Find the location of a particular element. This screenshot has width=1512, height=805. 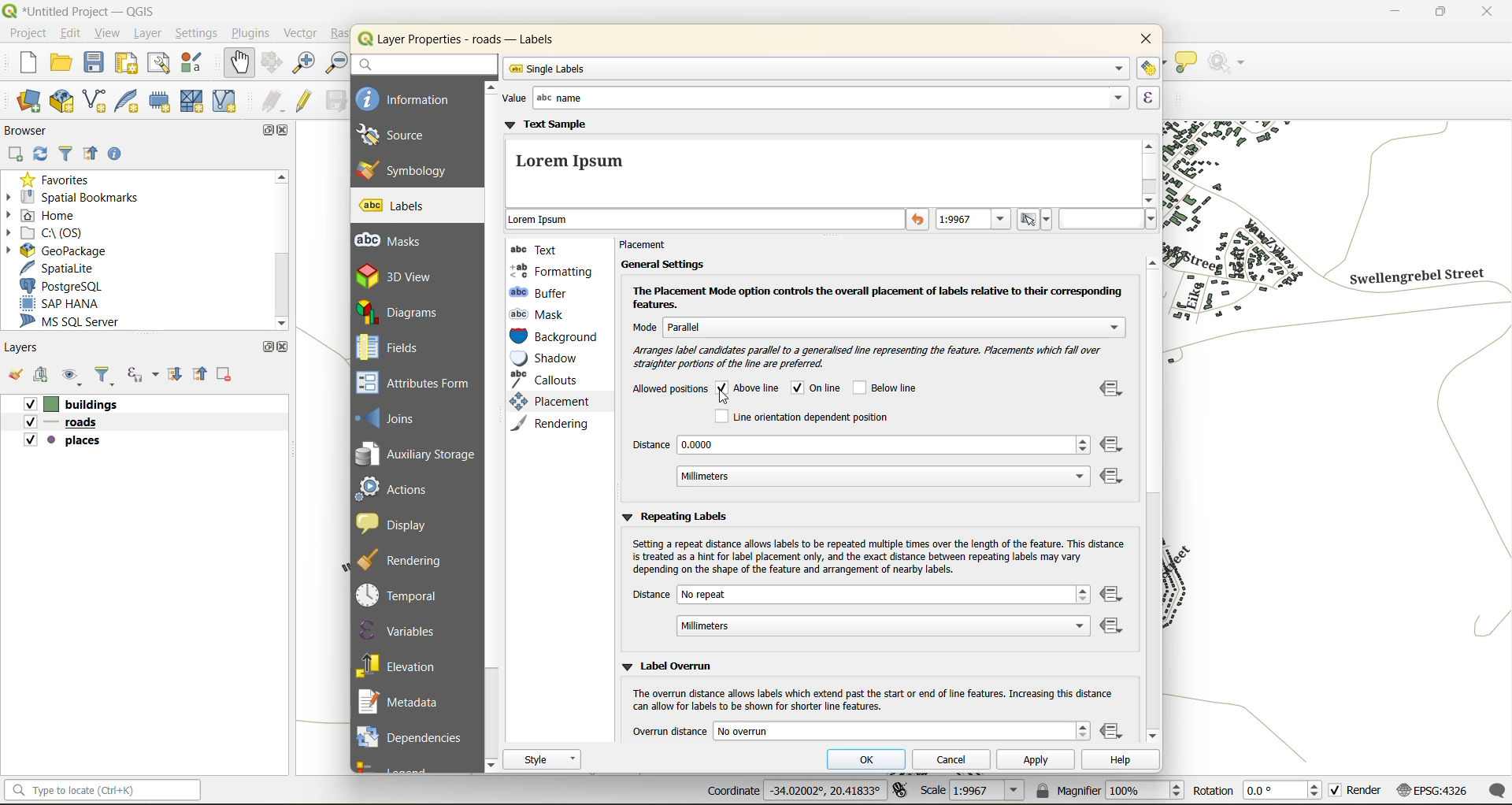

plugins is located at coordinates (251, 35).